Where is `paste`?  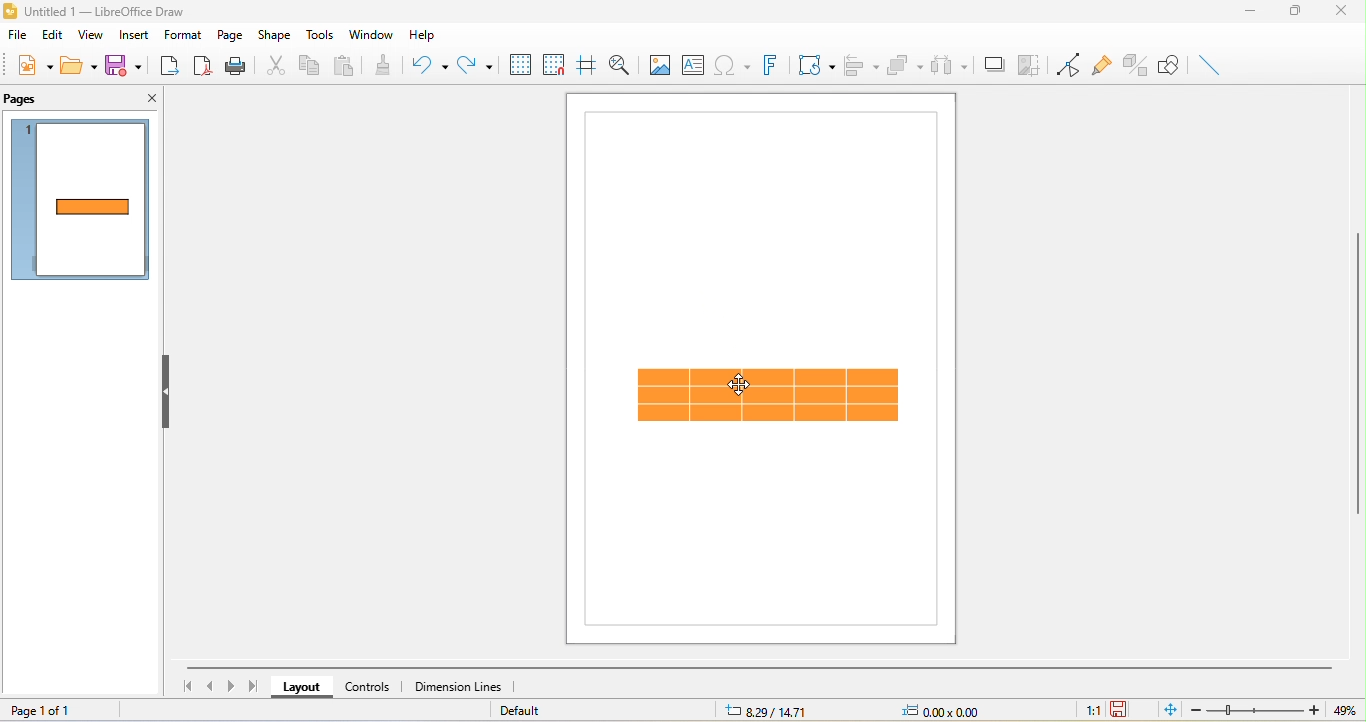 paste is located at coordinates (347, 65).